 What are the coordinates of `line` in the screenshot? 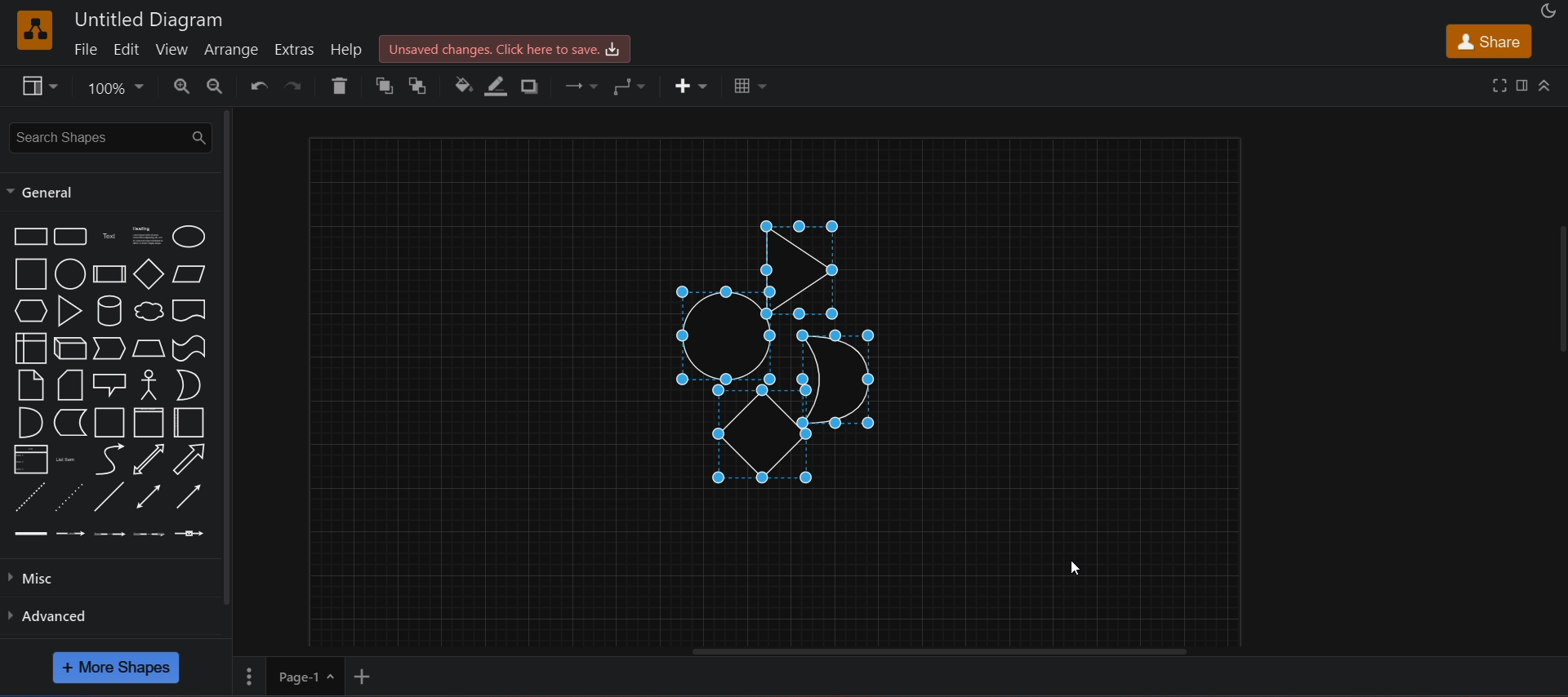 It's located at (111, 496).